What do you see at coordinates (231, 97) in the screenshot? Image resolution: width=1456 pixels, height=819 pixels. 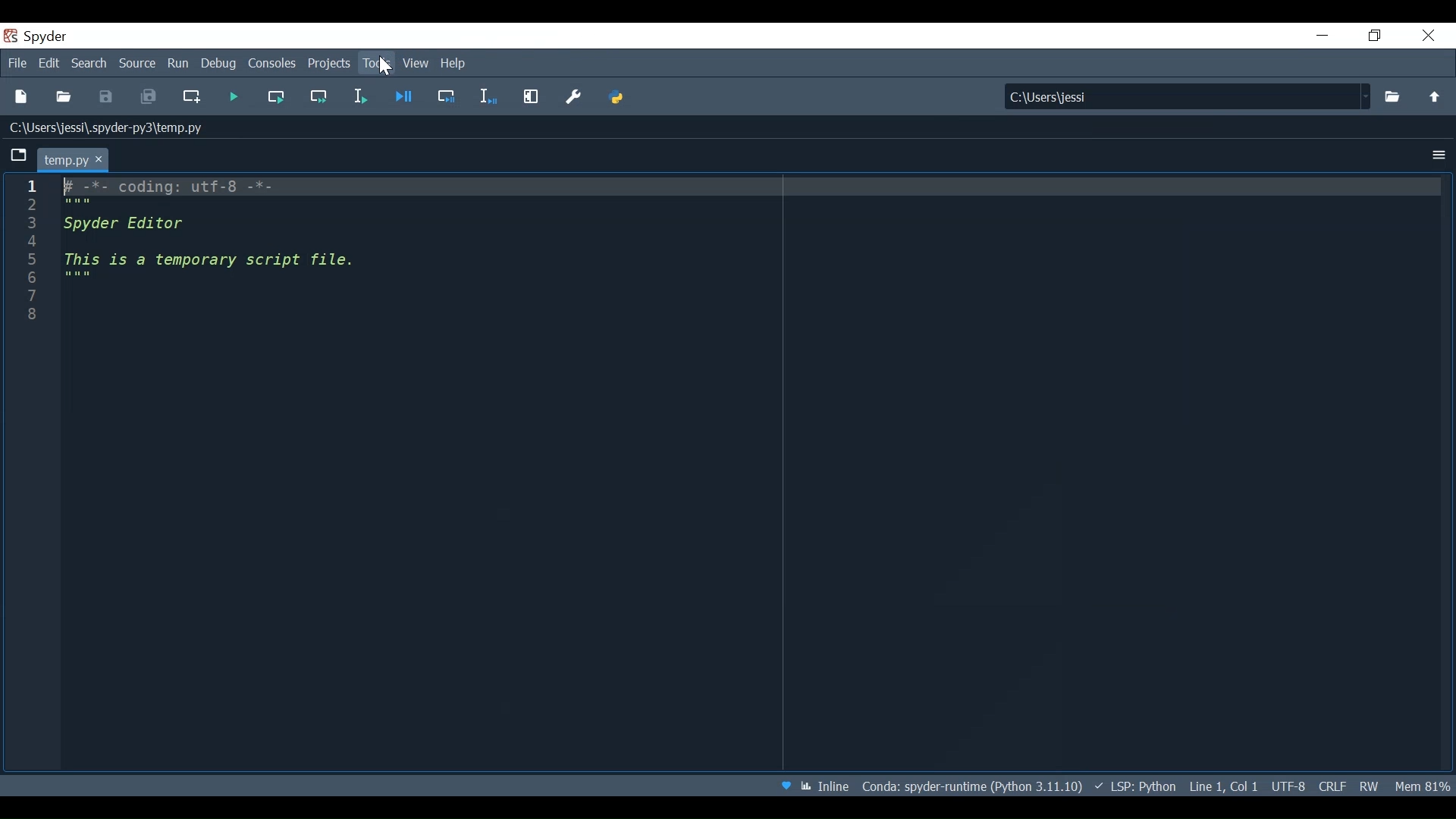 I see `Run file` at bounding box center [231, 97].